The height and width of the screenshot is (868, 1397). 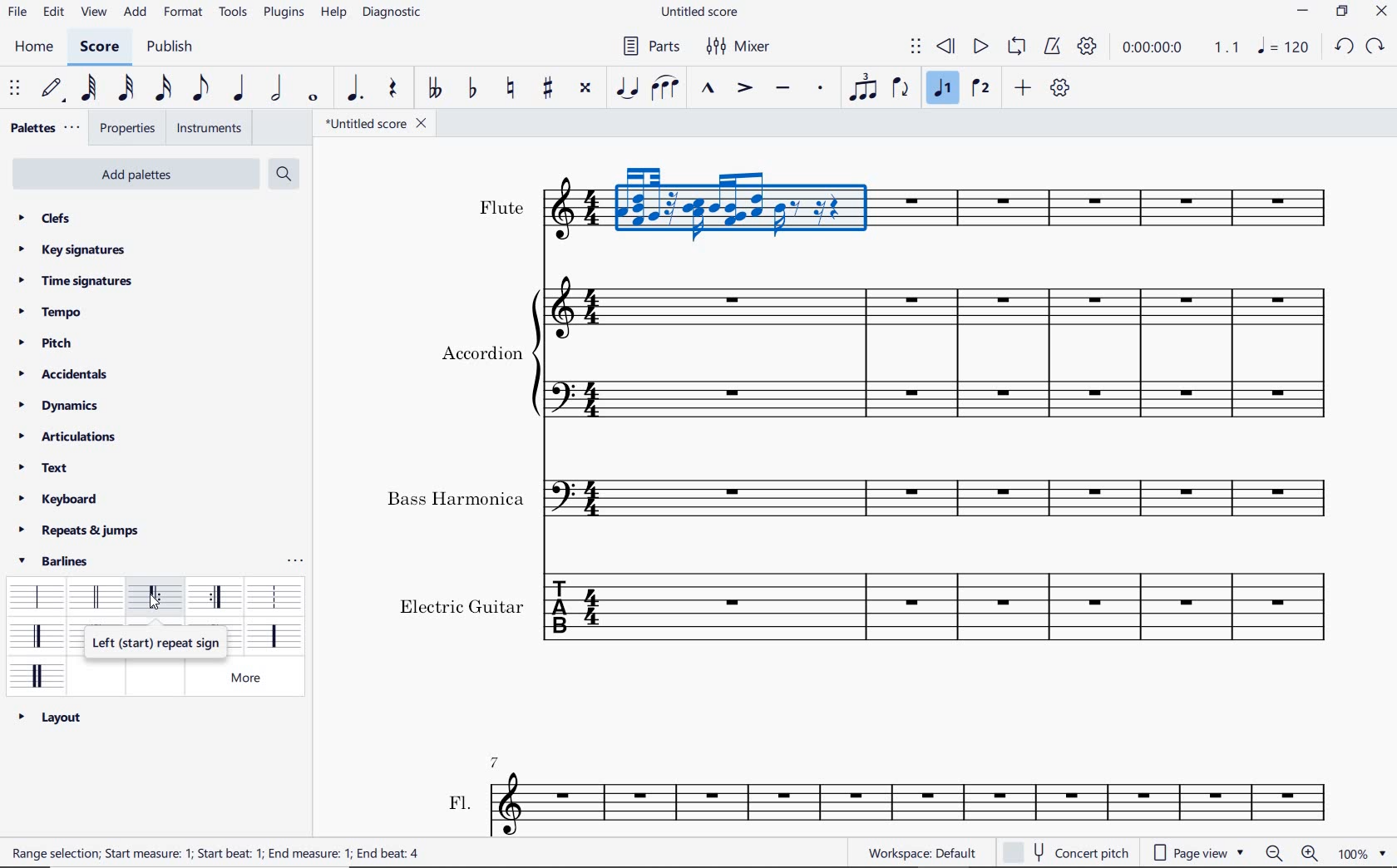 What do you see at coordinates (76, 282) in the screenshot?
I see `time signatures` at bounding box center [76, 282].